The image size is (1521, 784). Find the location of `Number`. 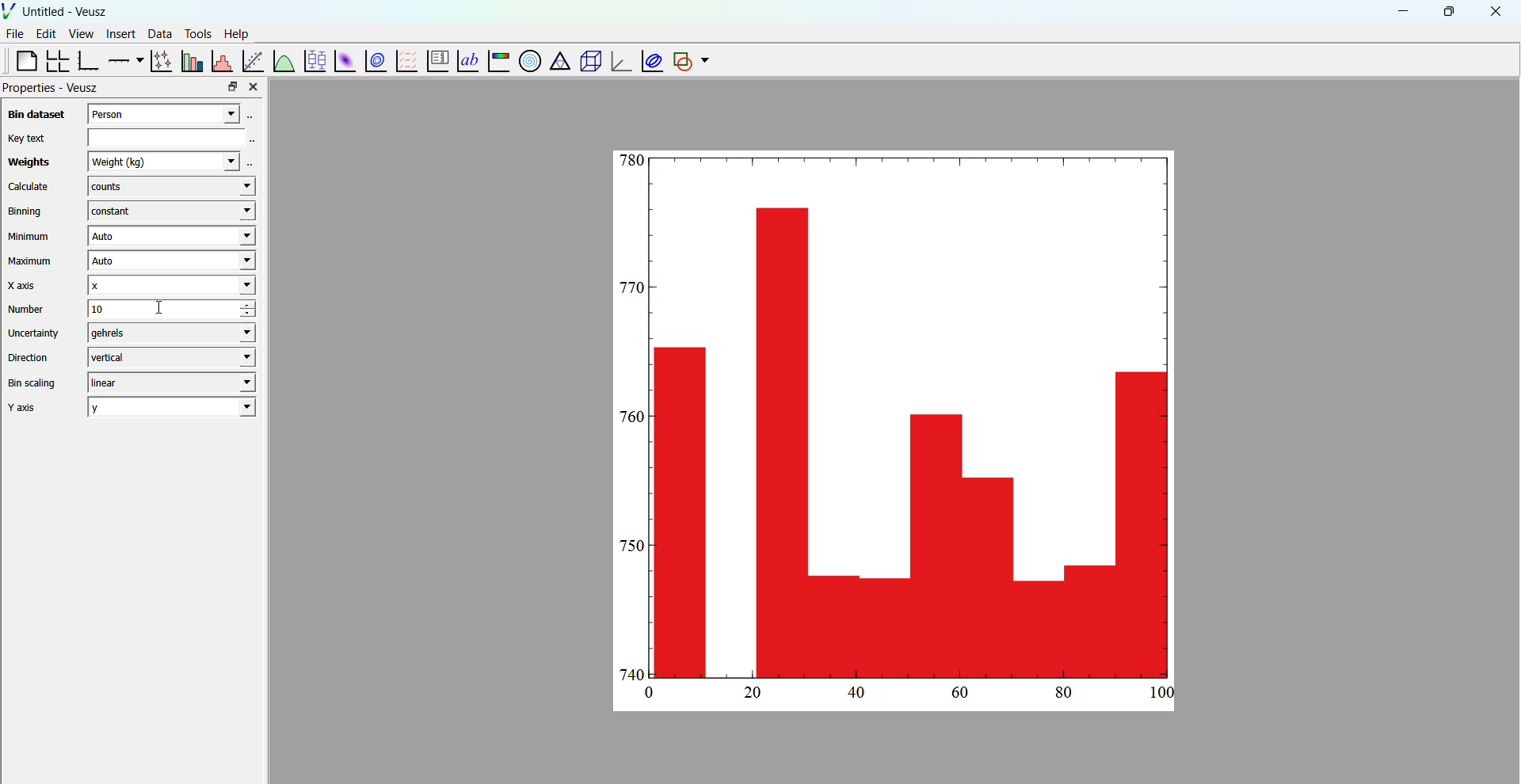

Number is located at coordinates (27, 309).